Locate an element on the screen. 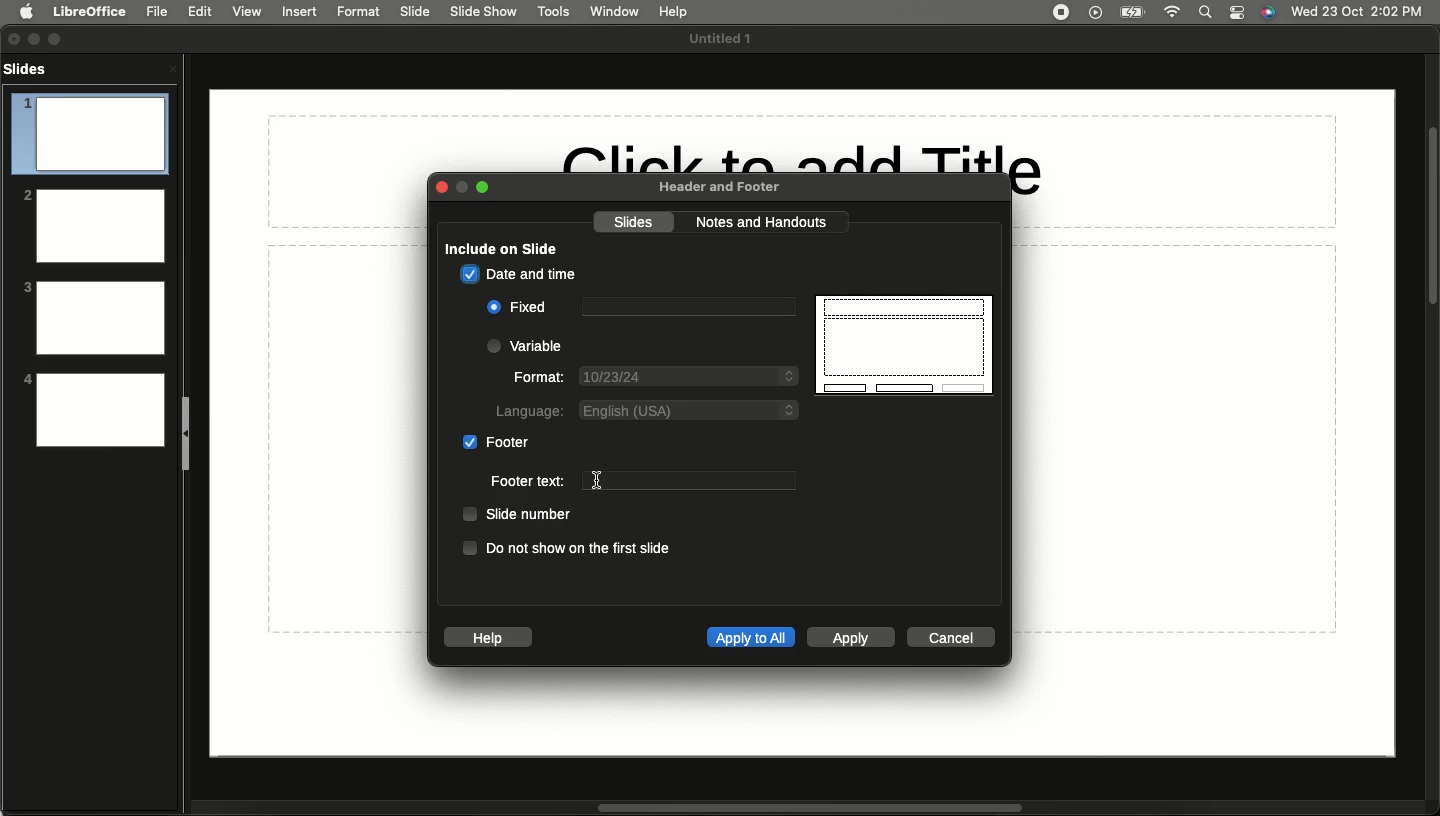 The image size is (1440, 816). Text box is located at coordinates (685, 480).